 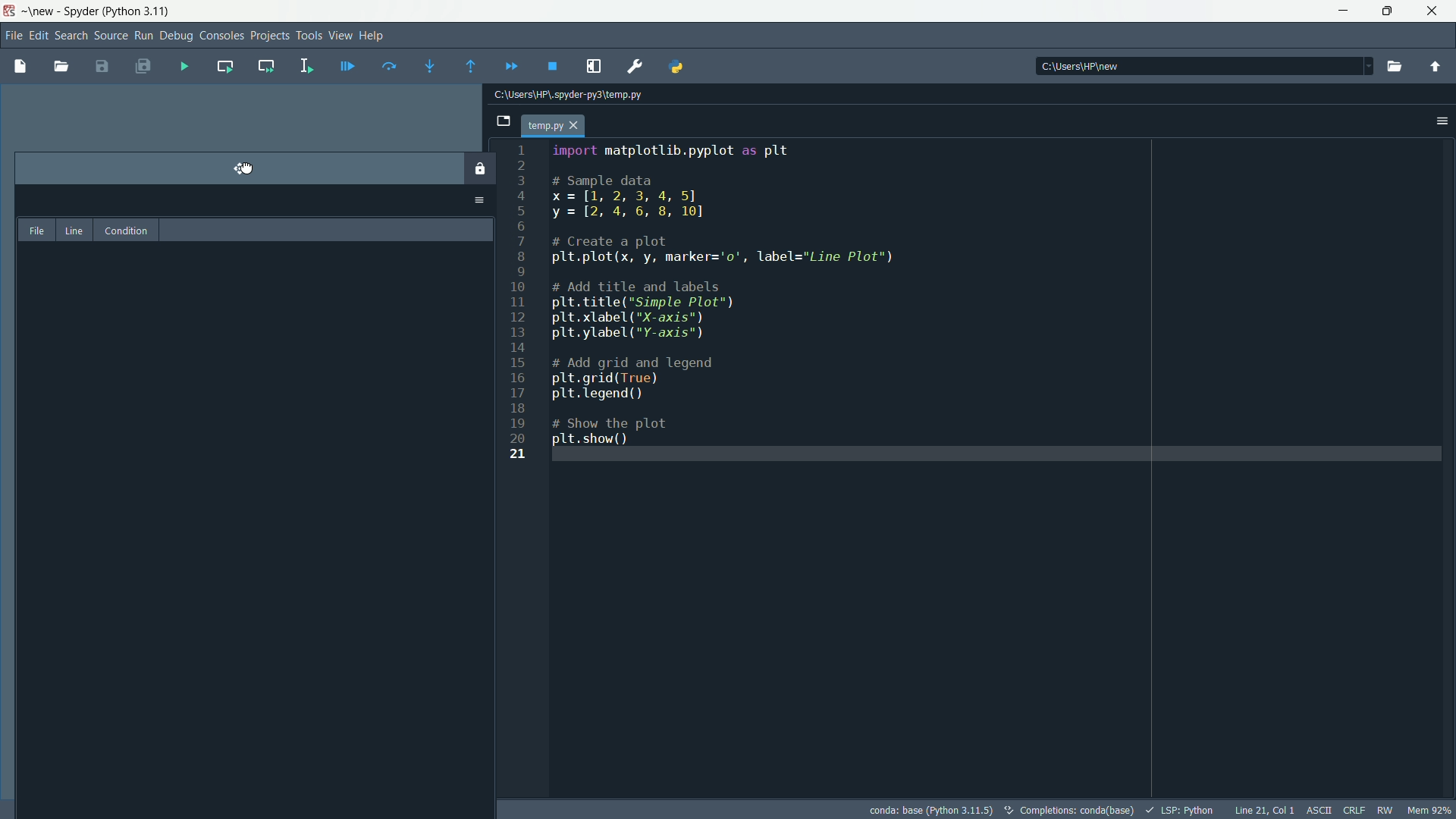 What do you see at coordinates (554, 67) in the screenshot?
I see `stop debugging ` at bounding box center [554, 67].